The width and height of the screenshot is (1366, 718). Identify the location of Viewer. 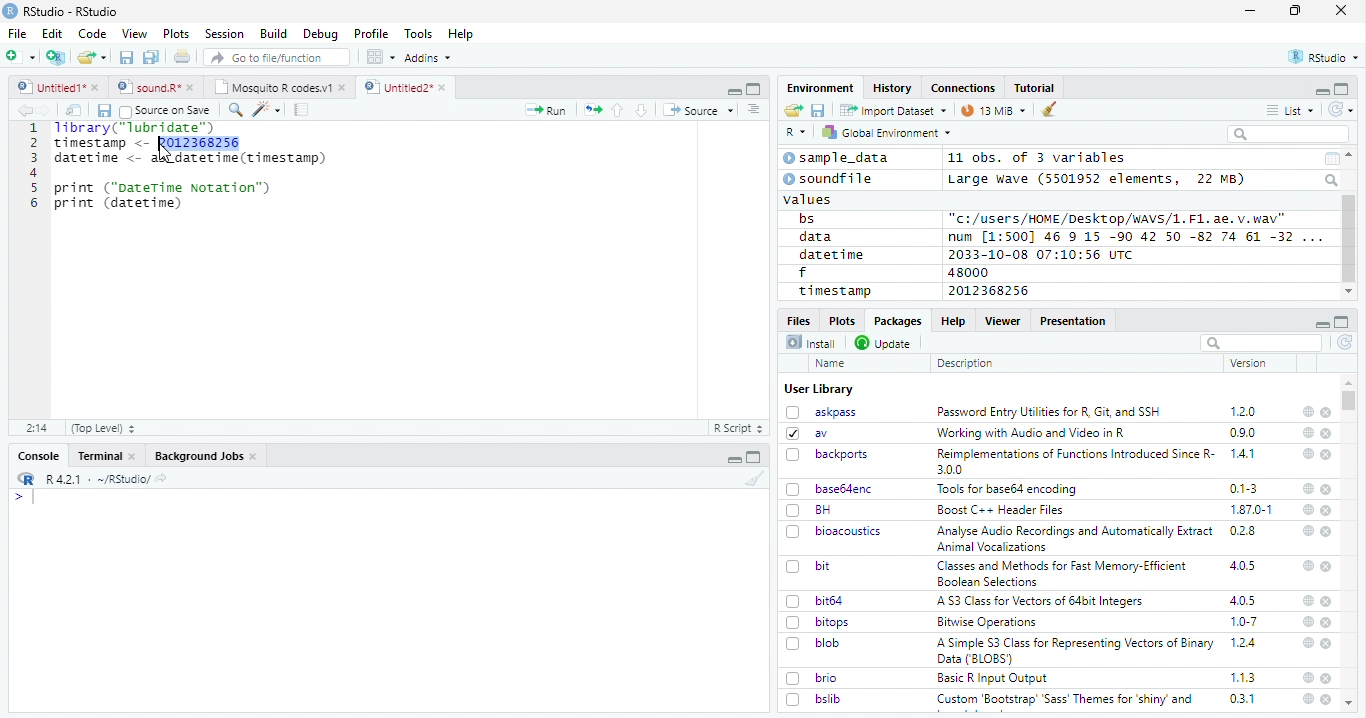
(1003, 320).